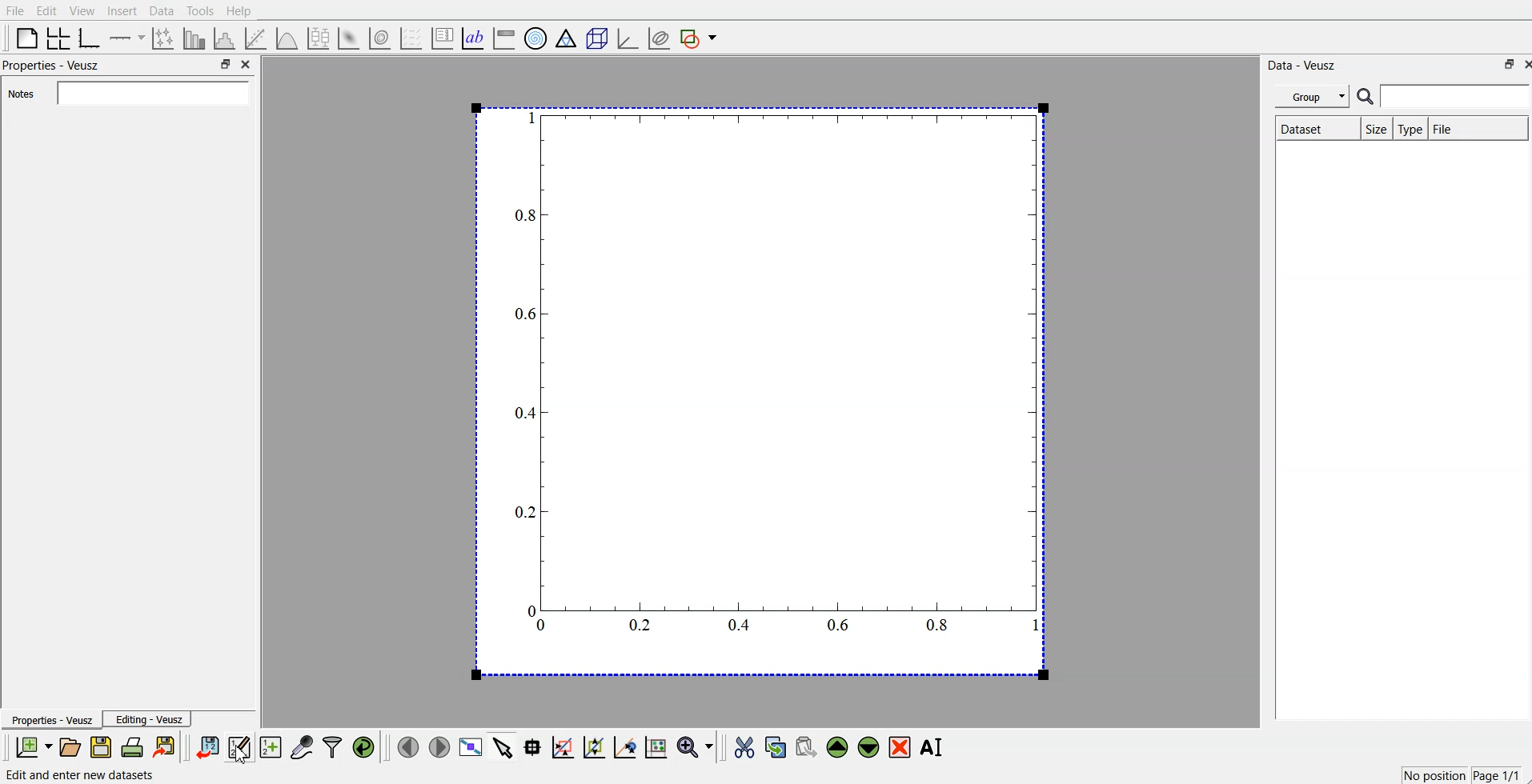  Describe the element at coordinates (59, 37) in the screenshot. I see `arrange the graph` at that location.